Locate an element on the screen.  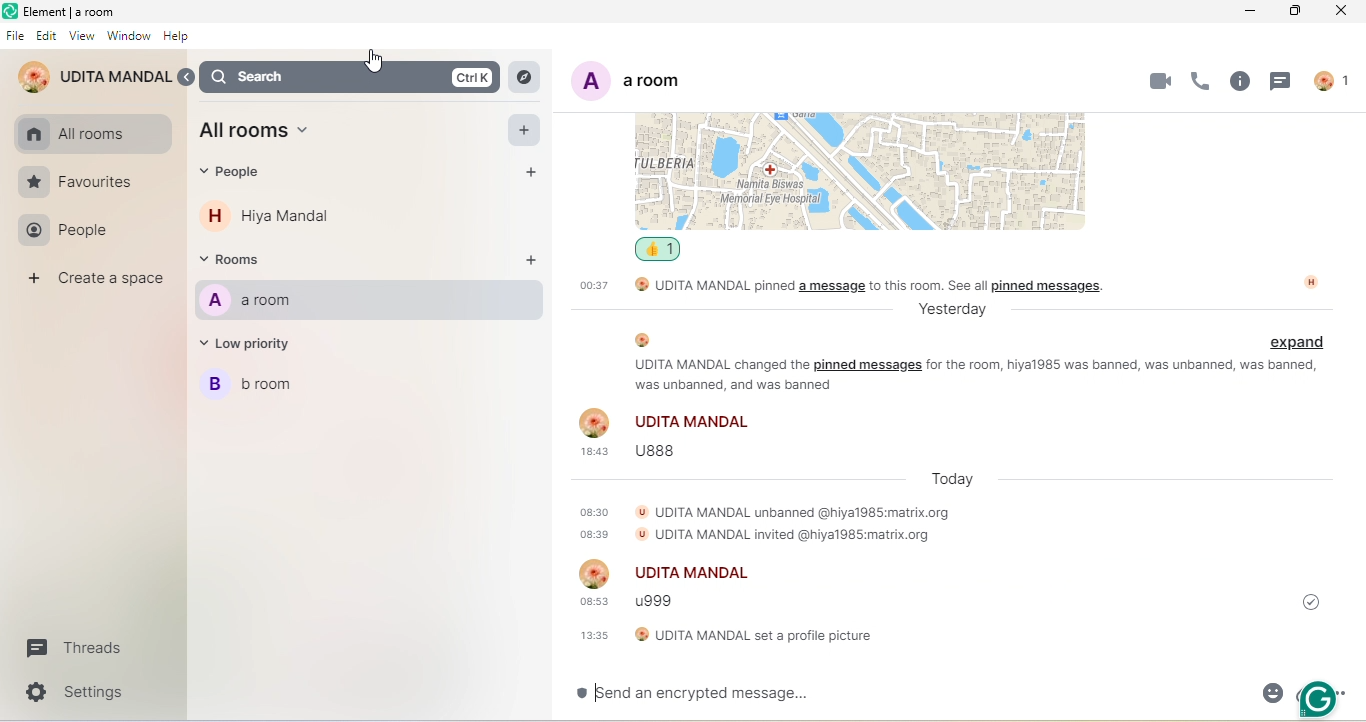
All room is located at coordinates (96, 133).